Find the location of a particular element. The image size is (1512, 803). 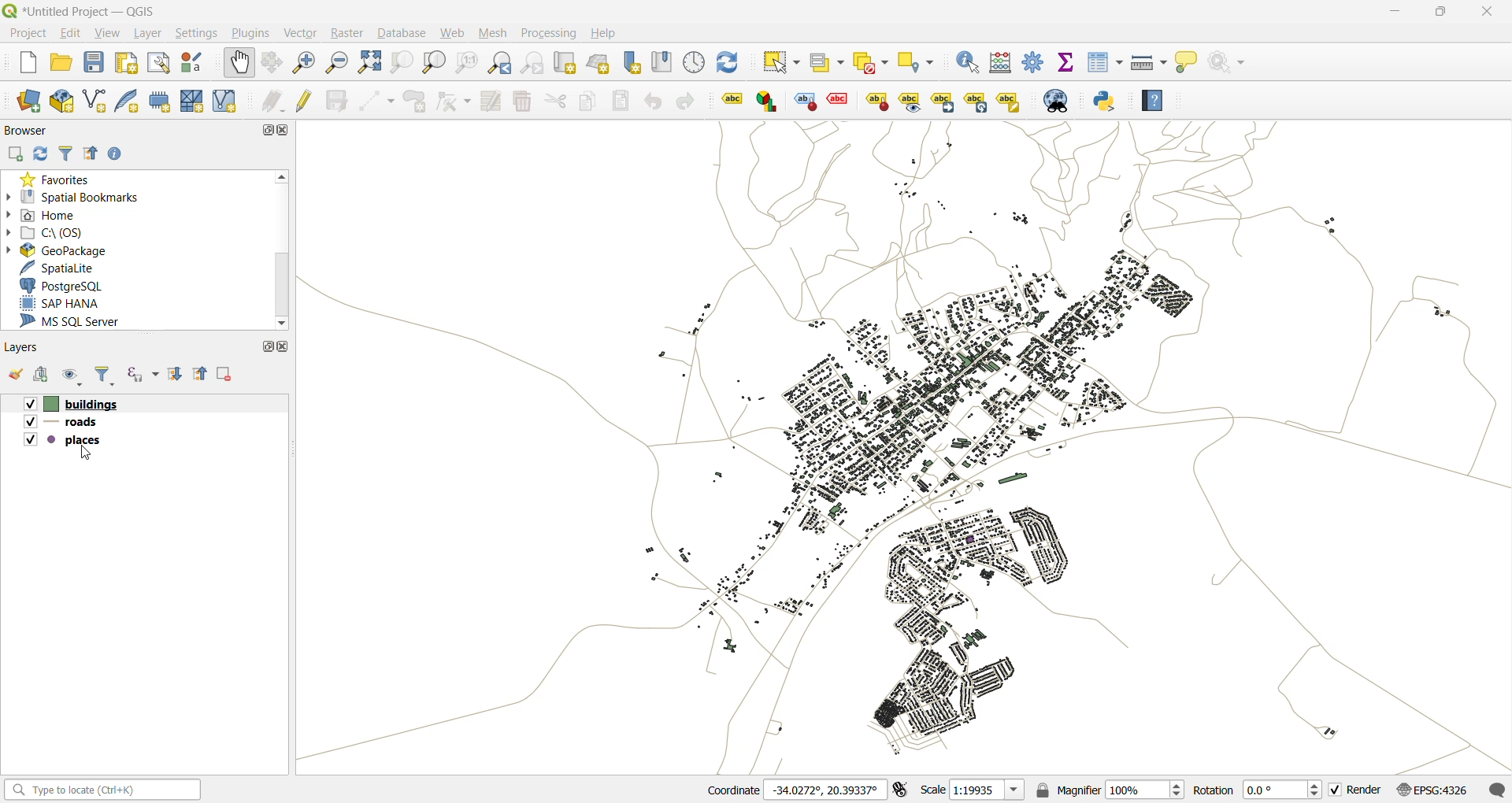

style manager is located at coordinates (195, 64).